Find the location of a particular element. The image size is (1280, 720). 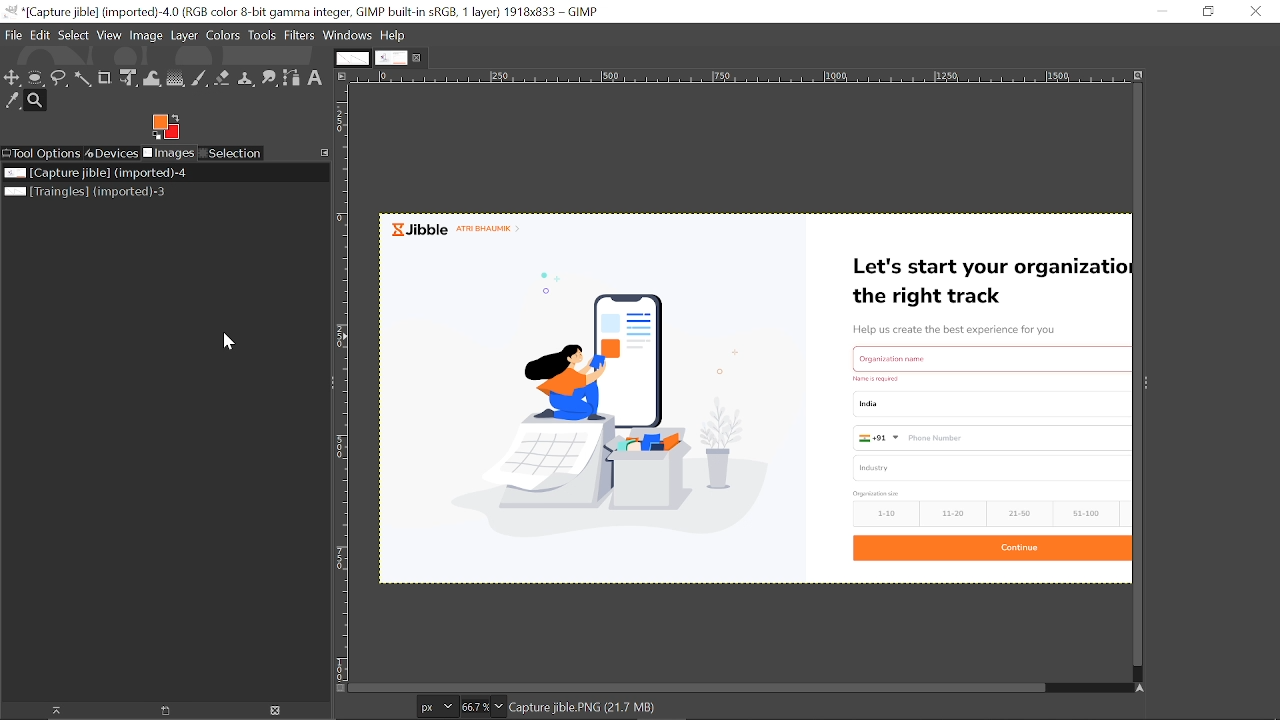

Image zoomed is located at coordinates (742, 398).